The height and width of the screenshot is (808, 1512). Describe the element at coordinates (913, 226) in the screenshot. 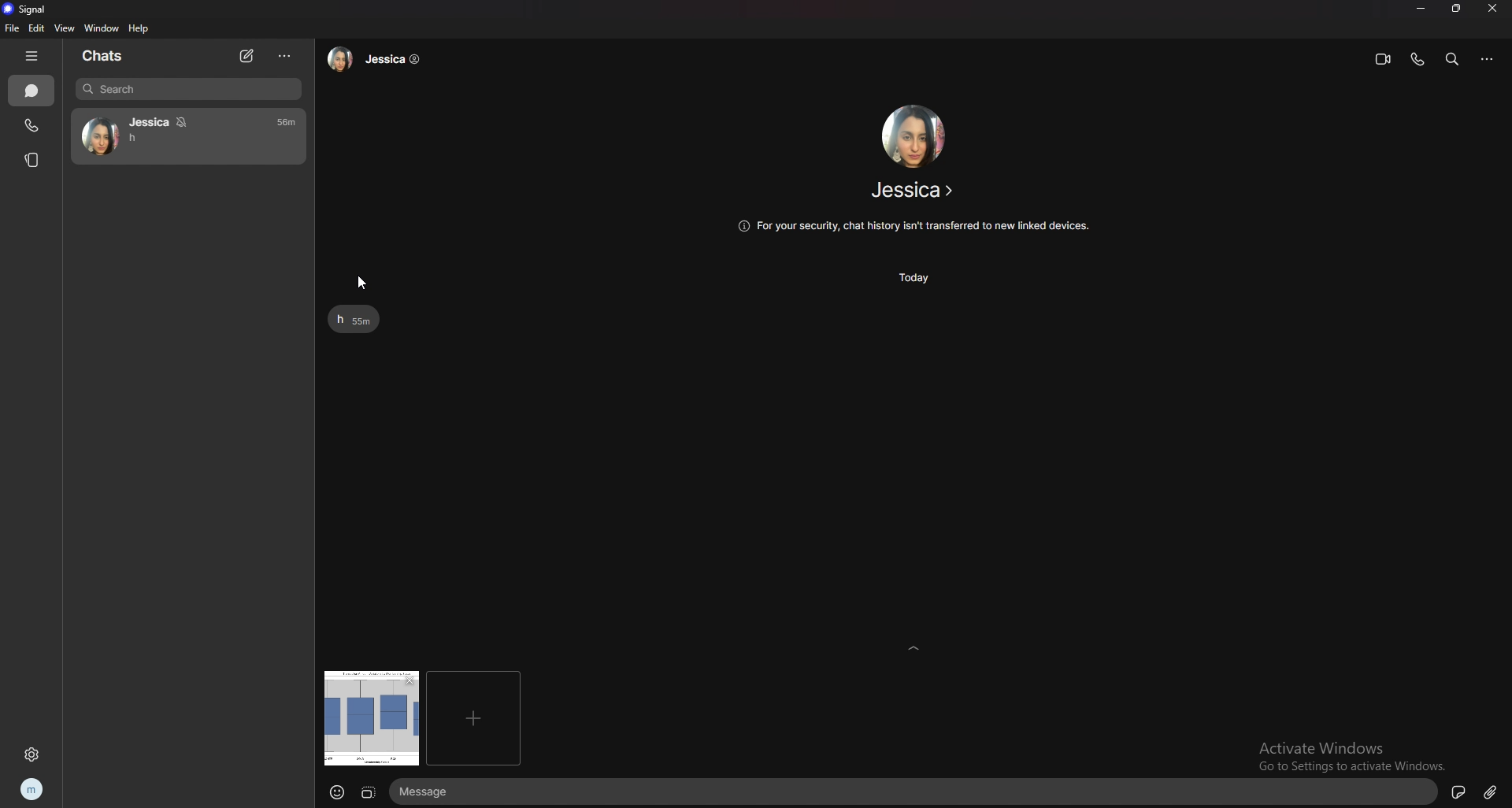

I see `info` at that location.